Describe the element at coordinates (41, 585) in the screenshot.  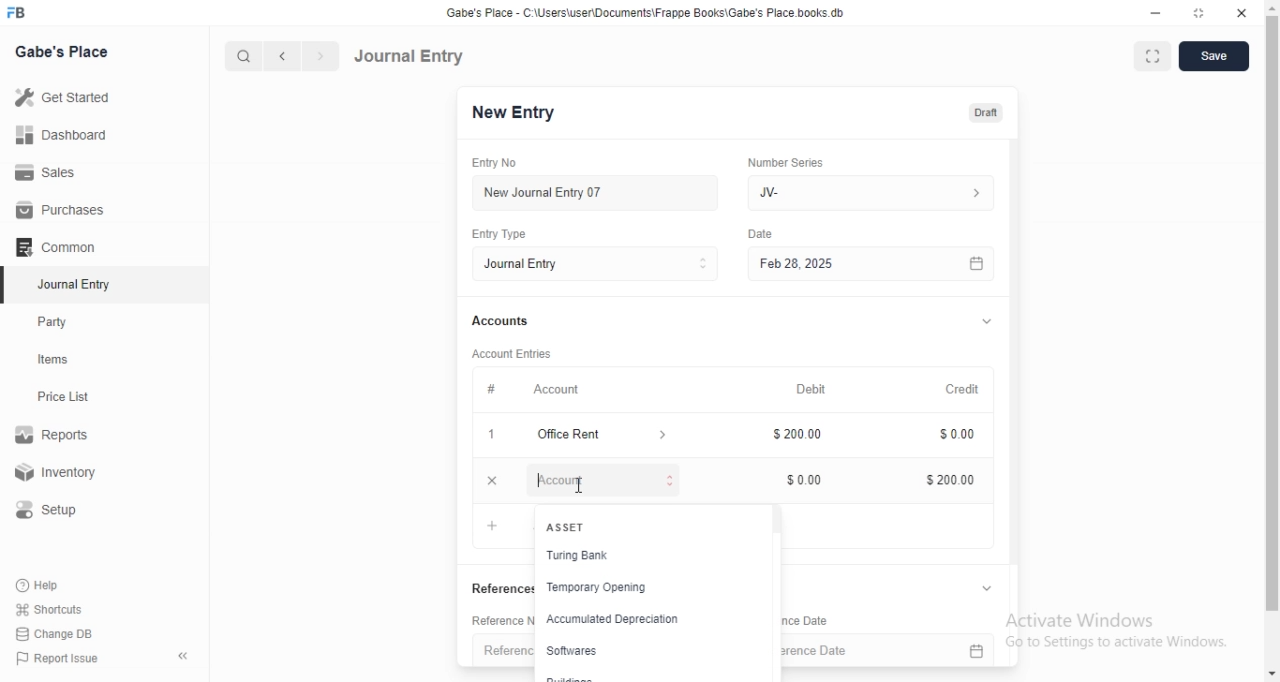
I see `Help` at that location.